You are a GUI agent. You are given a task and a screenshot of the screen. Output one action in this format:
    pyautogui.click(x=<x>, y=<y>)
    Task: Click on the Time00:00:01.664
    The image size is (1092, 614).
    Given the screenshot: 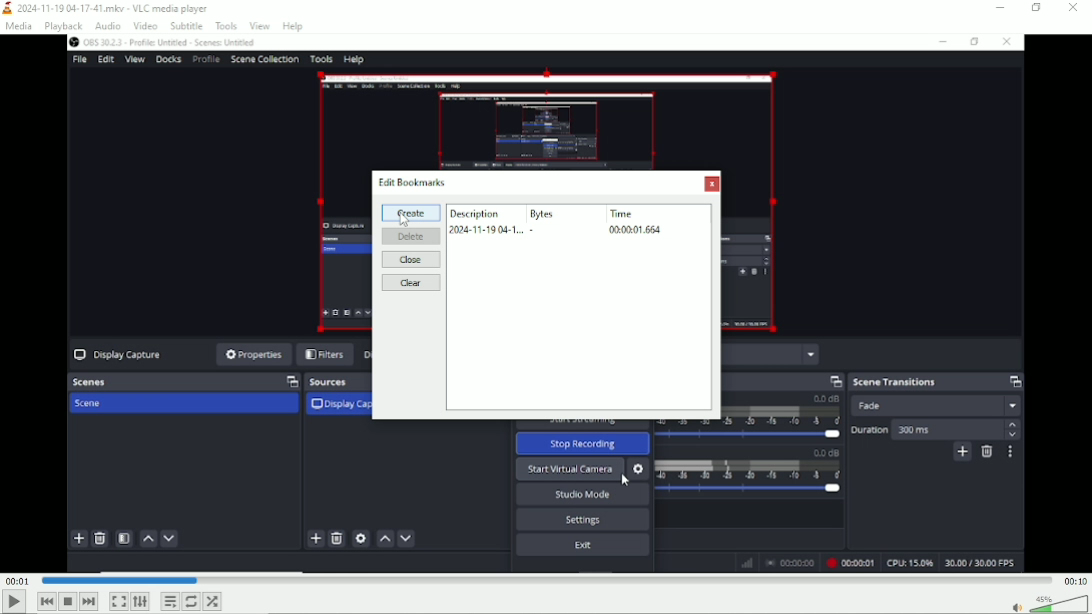 What is the action you would take?
    pyautogui.click(x=635, y=230)
    